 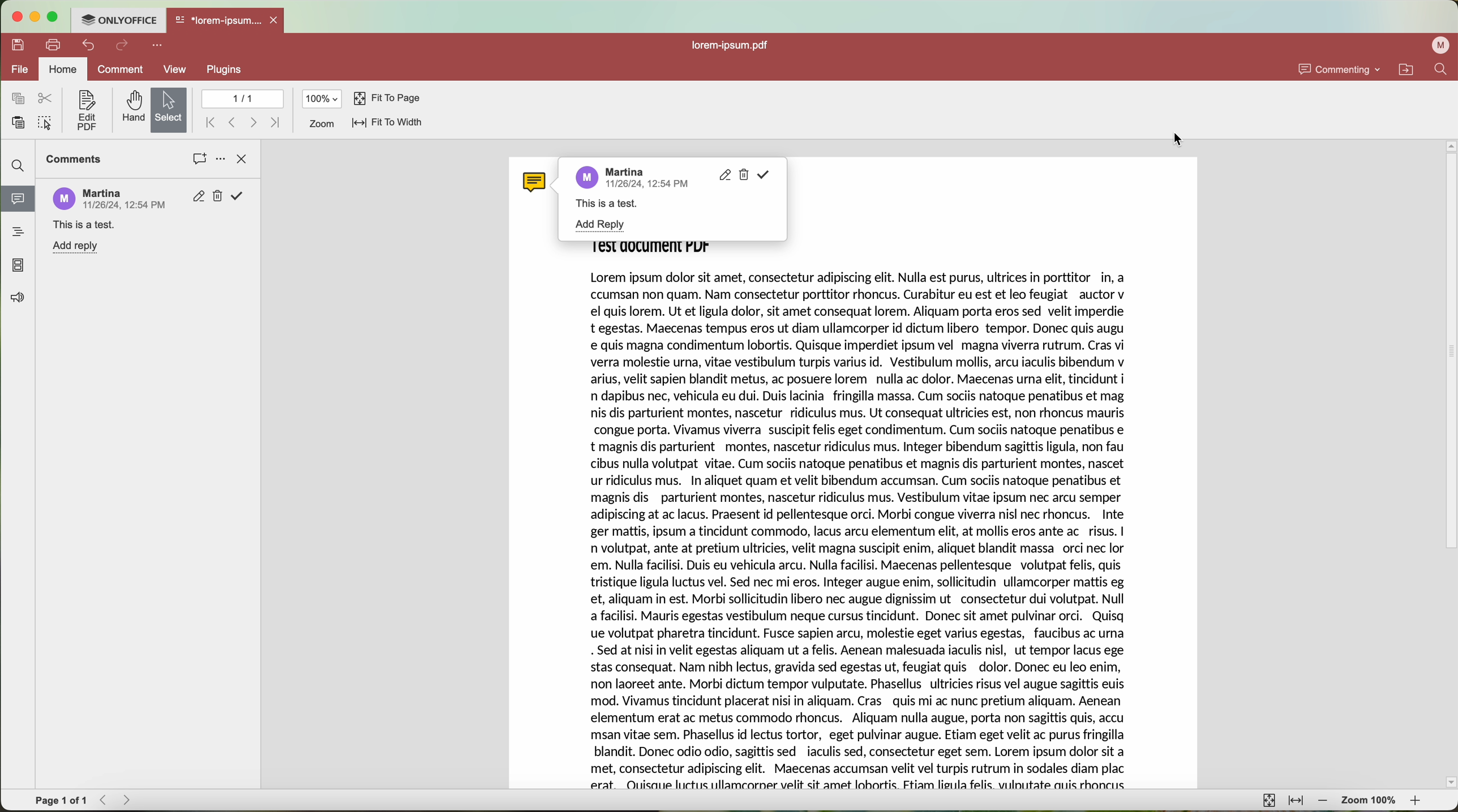 What do you see at coordinates (88, 45) in the screenshot?
I see `undo` at bounding box center [88, 45].